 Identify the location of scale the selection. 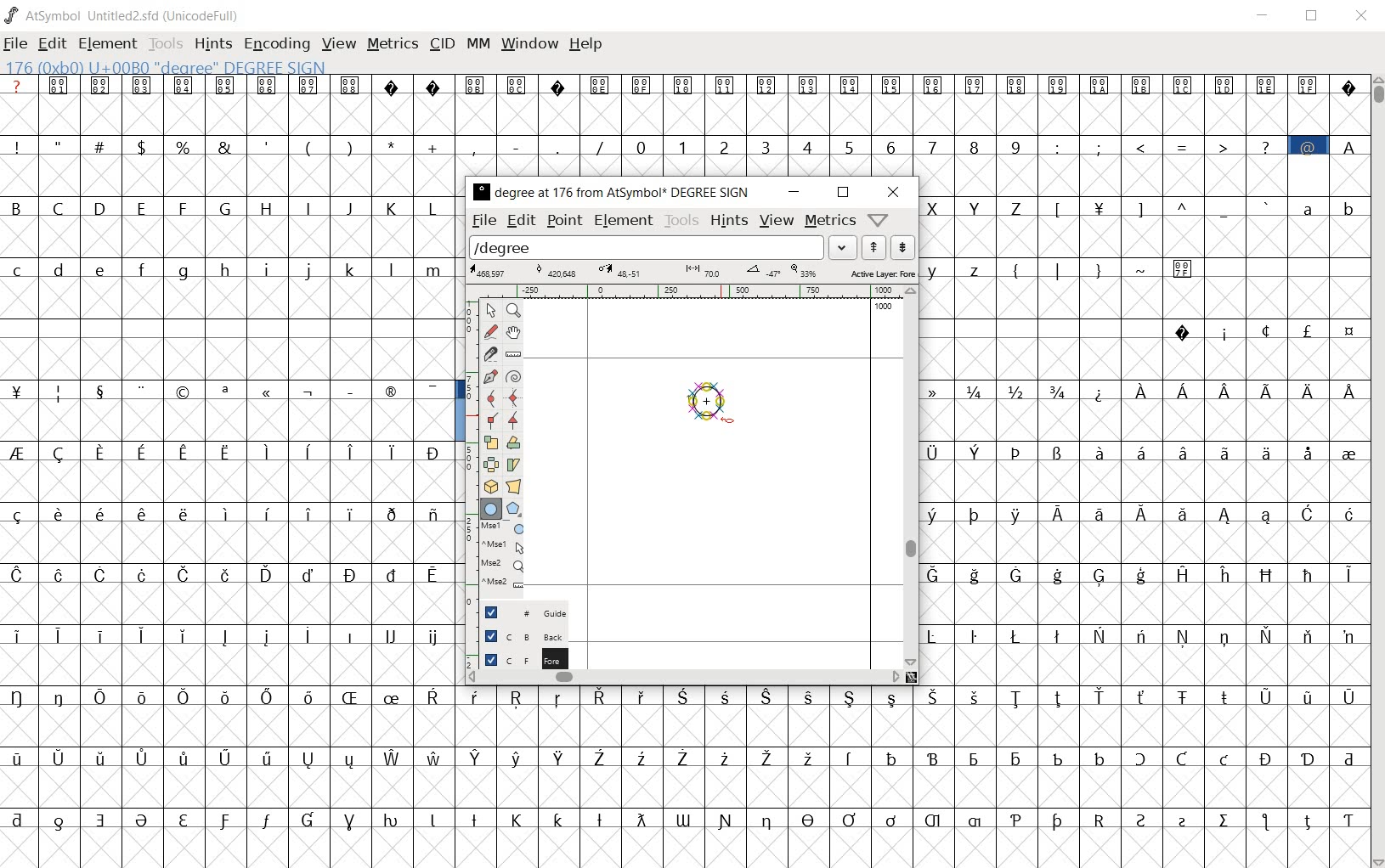
(489, 442).